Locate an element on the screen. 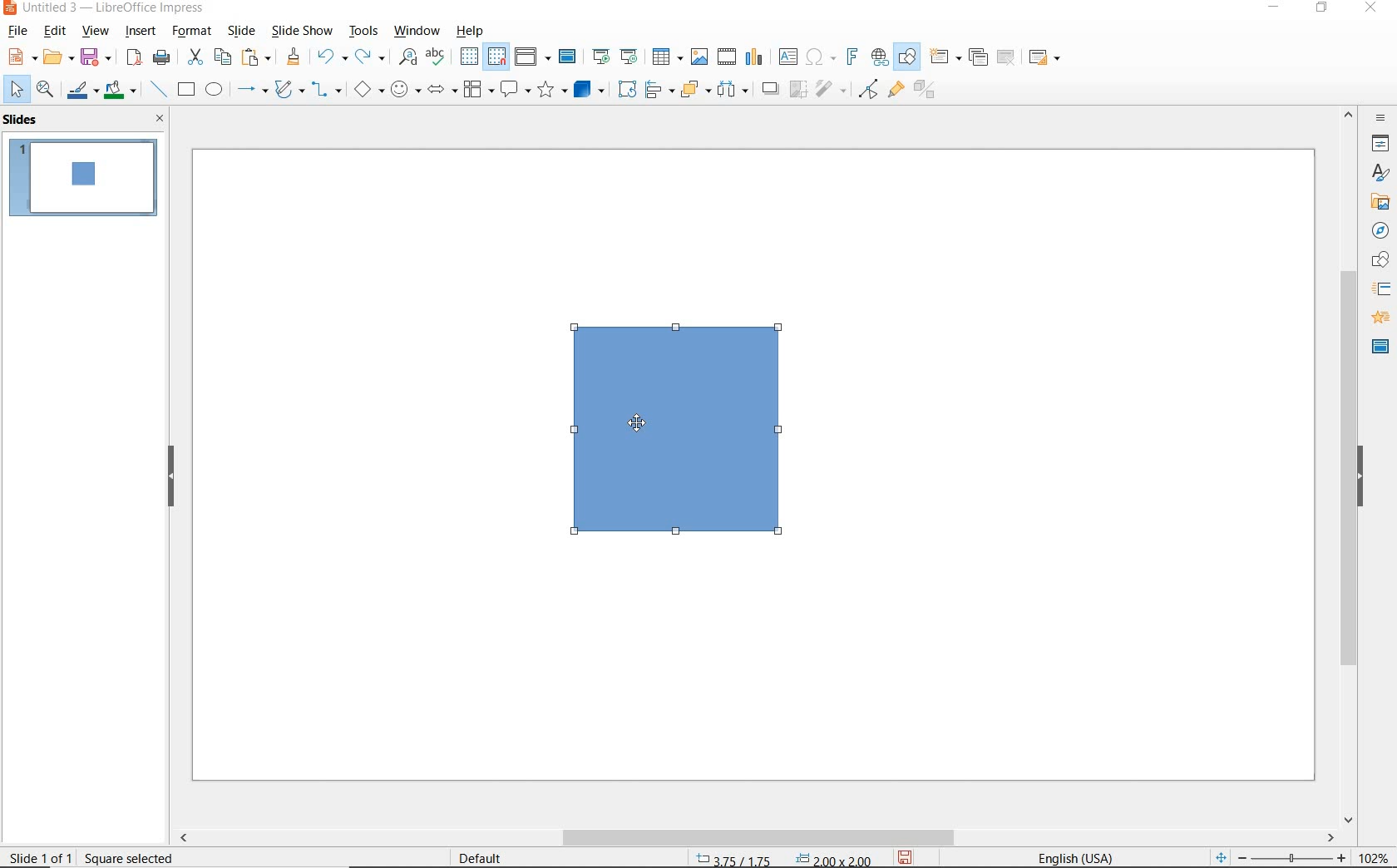 Image resolution: width=1397 pixels, height=868 pixels. sheet 1 of 1 is located at coordinates (42, 856).